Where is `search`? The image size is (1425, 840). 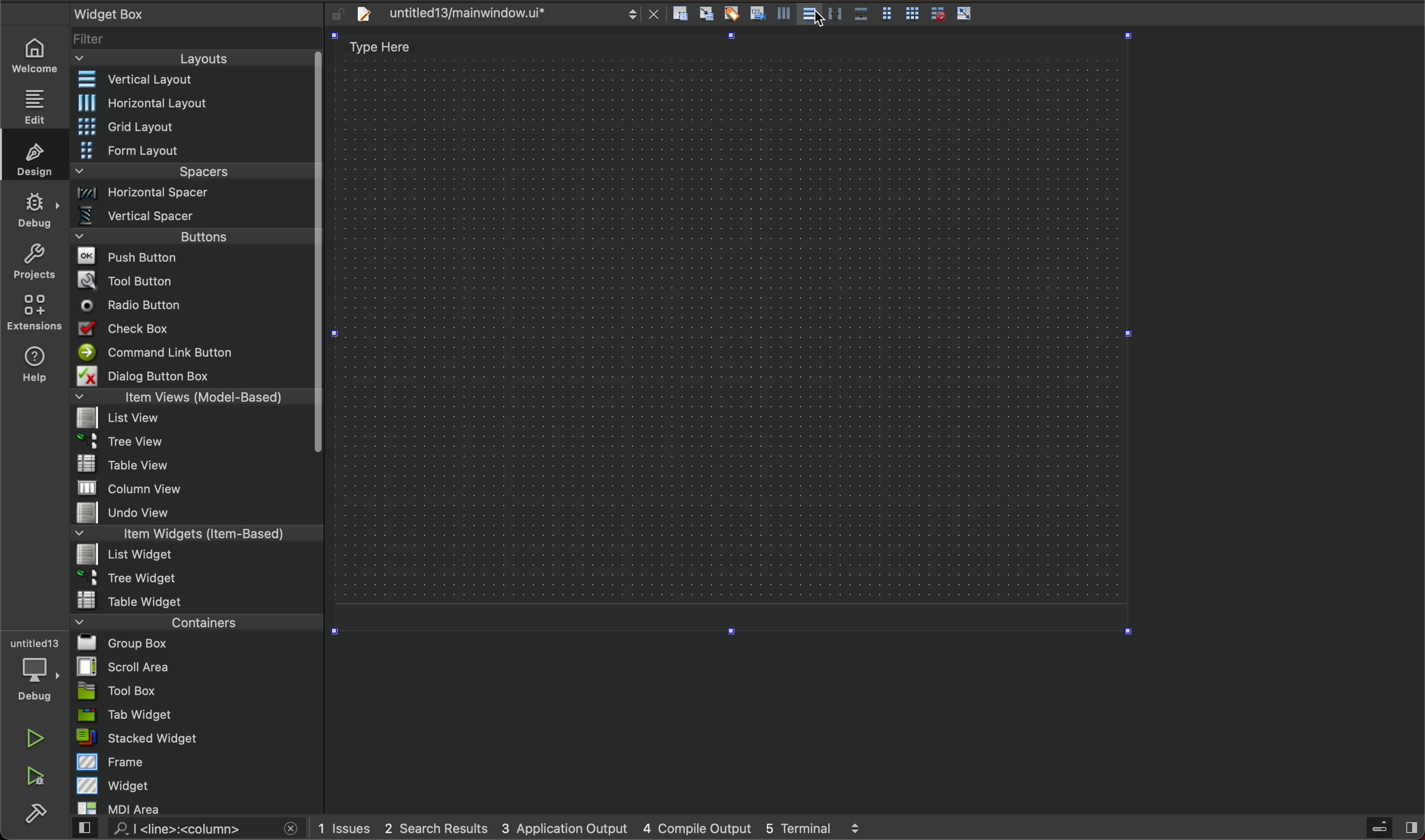 search is located at coordinates (189, 830).